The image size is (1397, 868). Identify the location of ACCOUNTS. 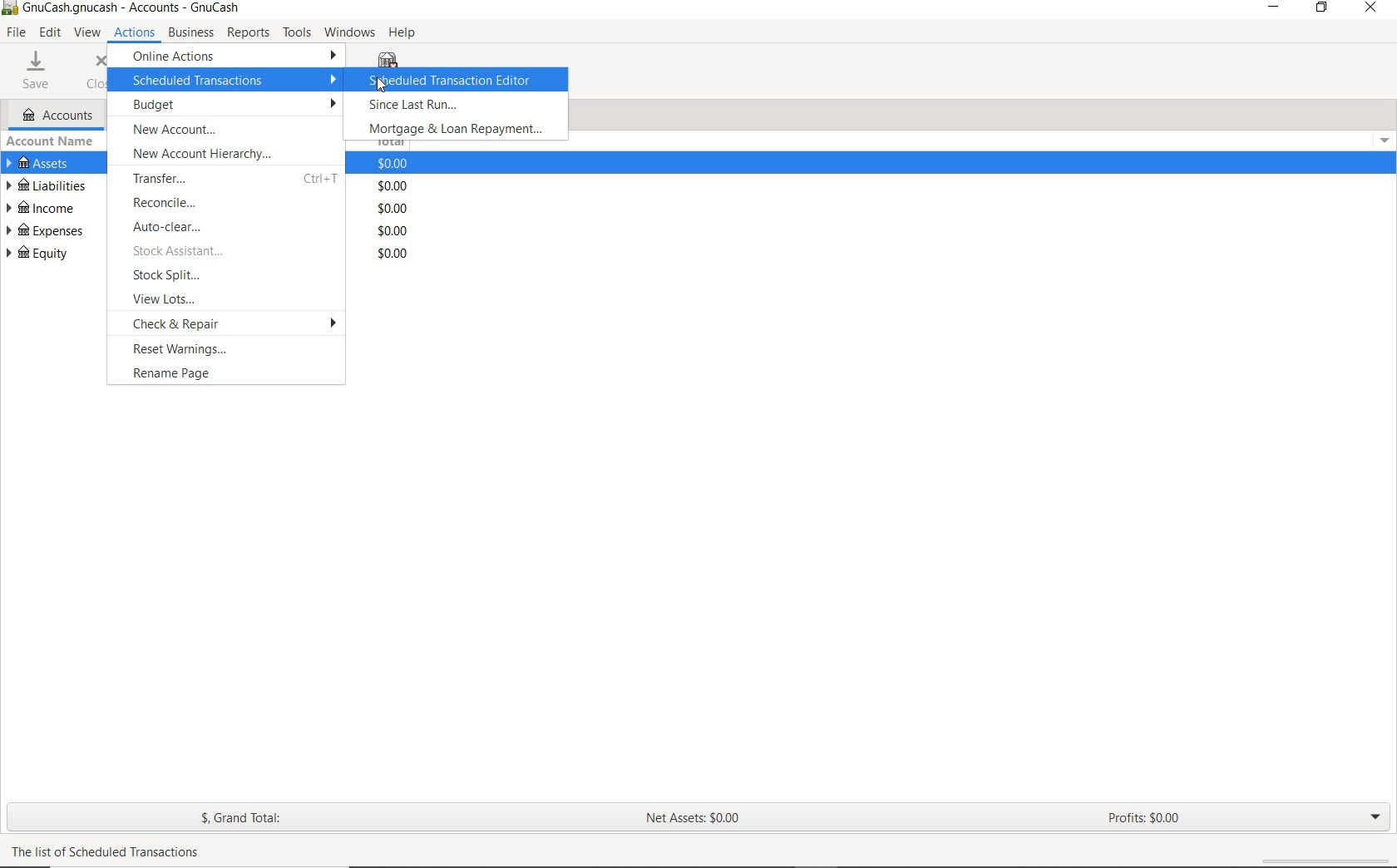
(58, 115).